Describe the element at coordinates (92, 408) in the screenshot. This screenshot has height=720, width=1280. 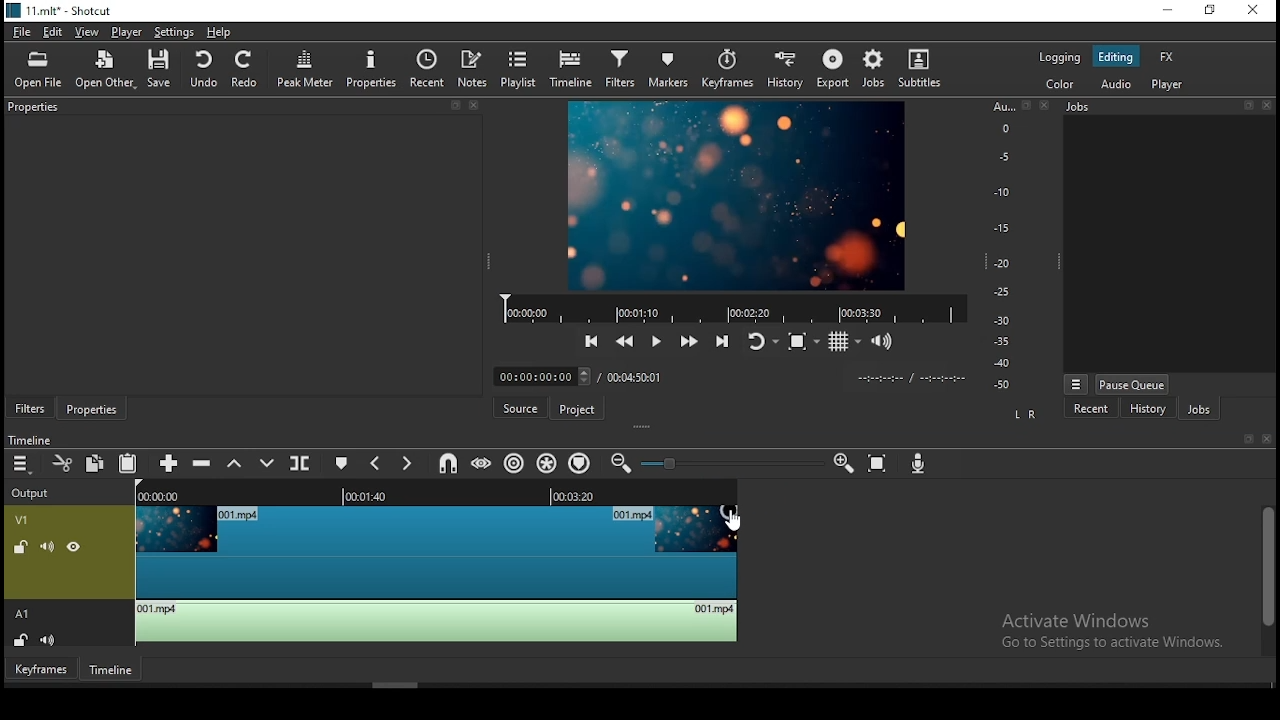
I see `properties` at that location.